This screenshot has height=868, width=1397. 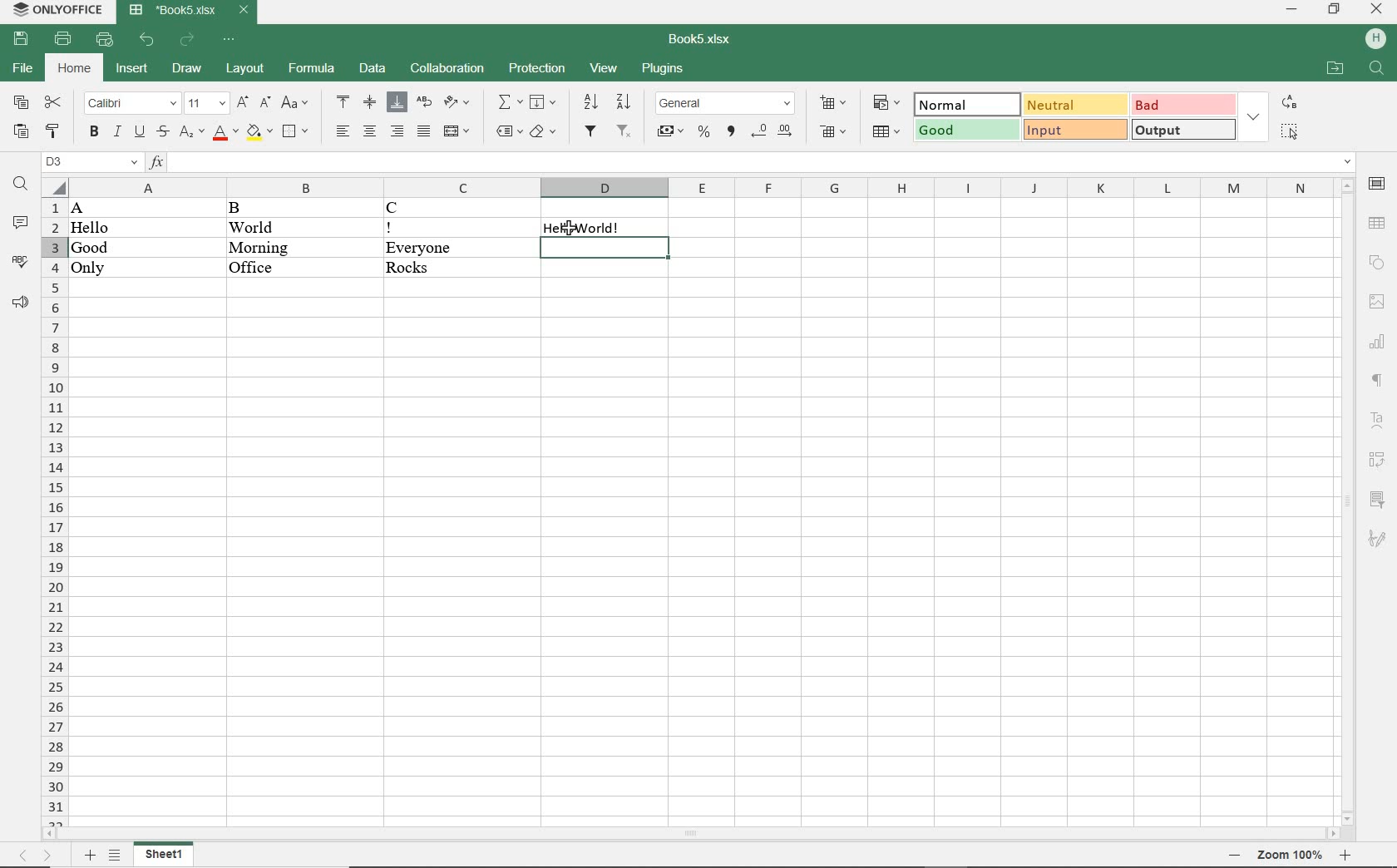 I want to click on ACCOUNTING STYLE, so click(x=669, y=131).